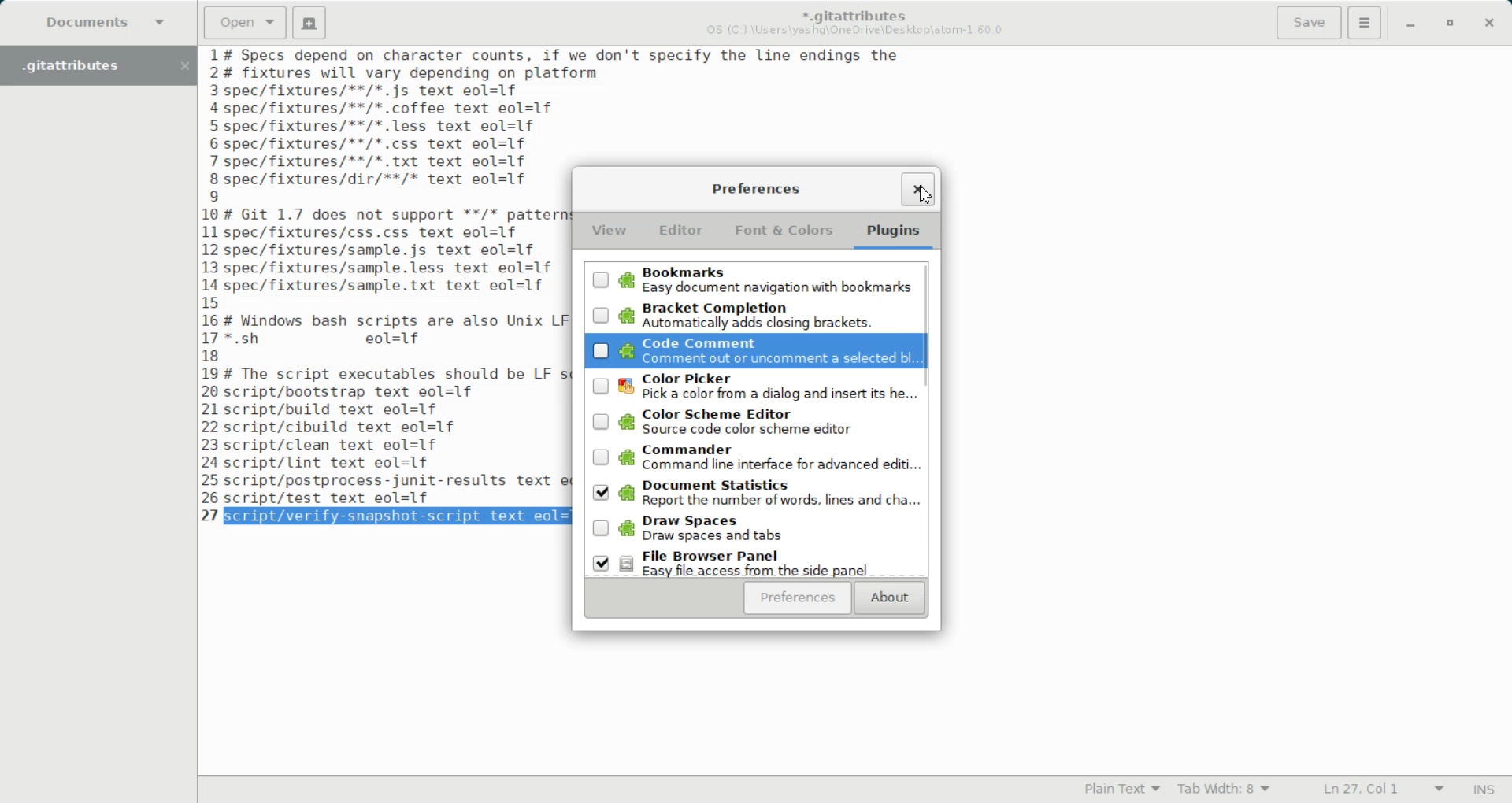 This screenshot has width=1512, height=803. Describe the element at coordinates (750, 316) in the screenshot. I see `Bracket completion: Automatically adds closing brackets` at that location.